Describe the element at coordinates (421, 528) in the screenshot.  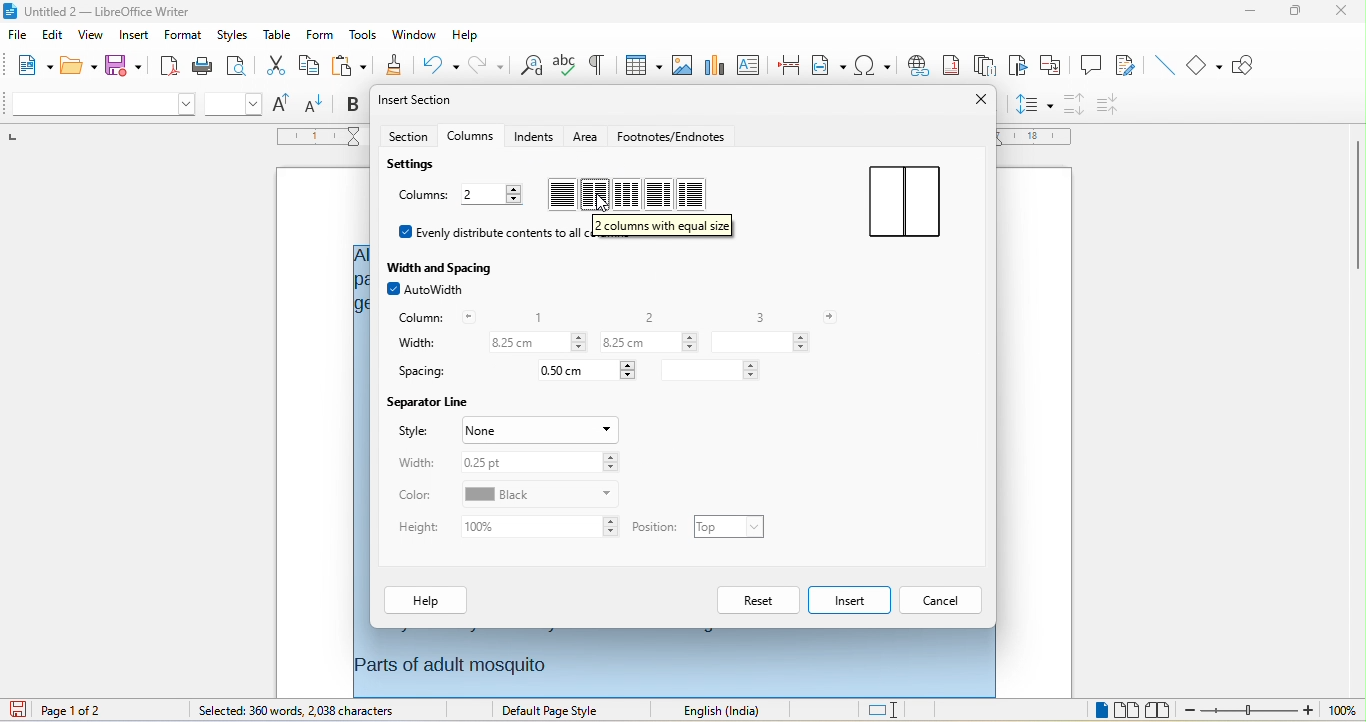
I see `height` at that location.